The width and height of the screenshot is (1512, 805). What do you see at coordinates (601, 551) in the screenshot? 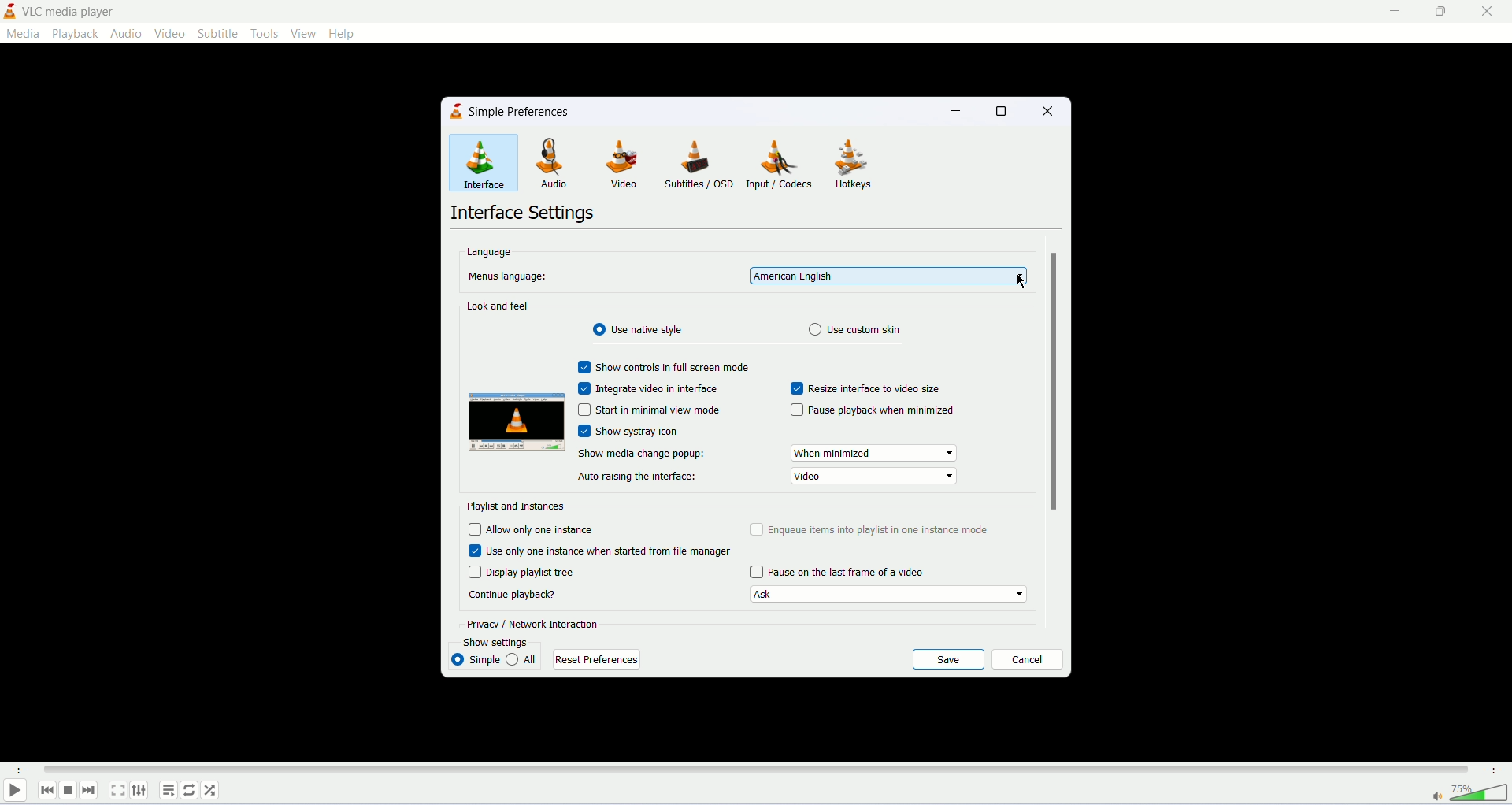
I see `use only one instance When started from file manager` at bounding box center [601, 551].